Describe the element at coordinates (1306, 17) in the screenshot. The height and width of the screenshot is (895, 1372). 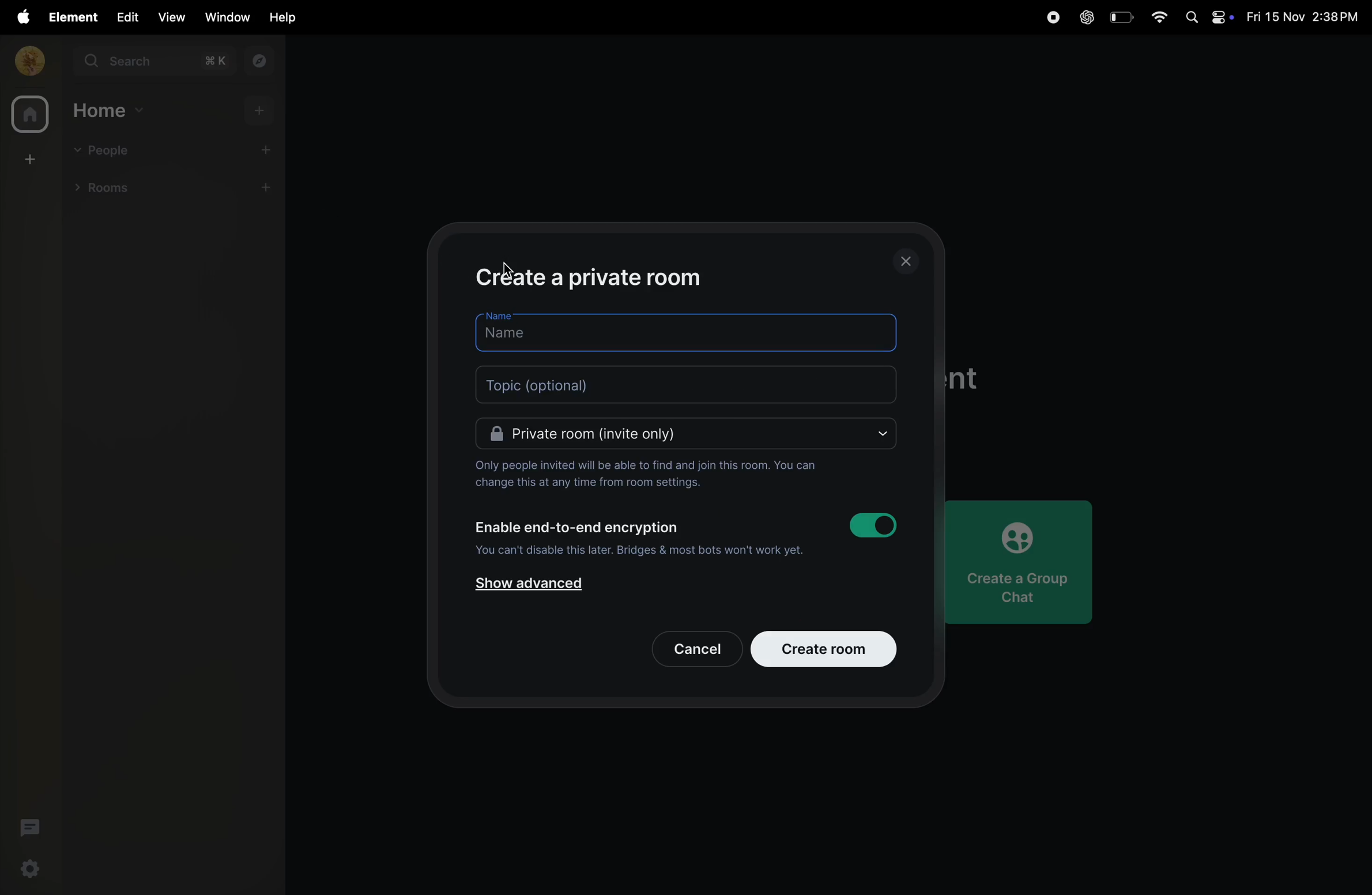
I see `date and time` at that location.